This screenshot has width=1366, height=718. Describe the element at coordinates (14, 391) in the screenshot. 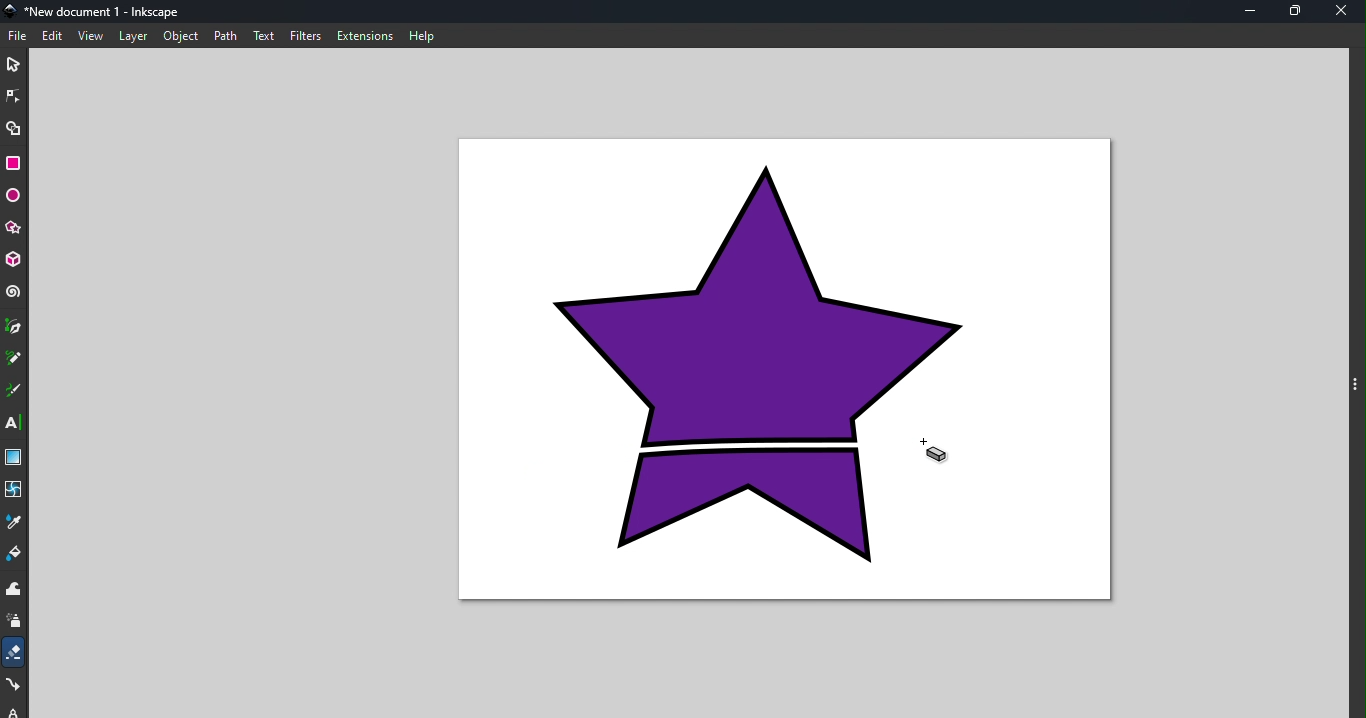

I see `calligraphy tool` at that location.